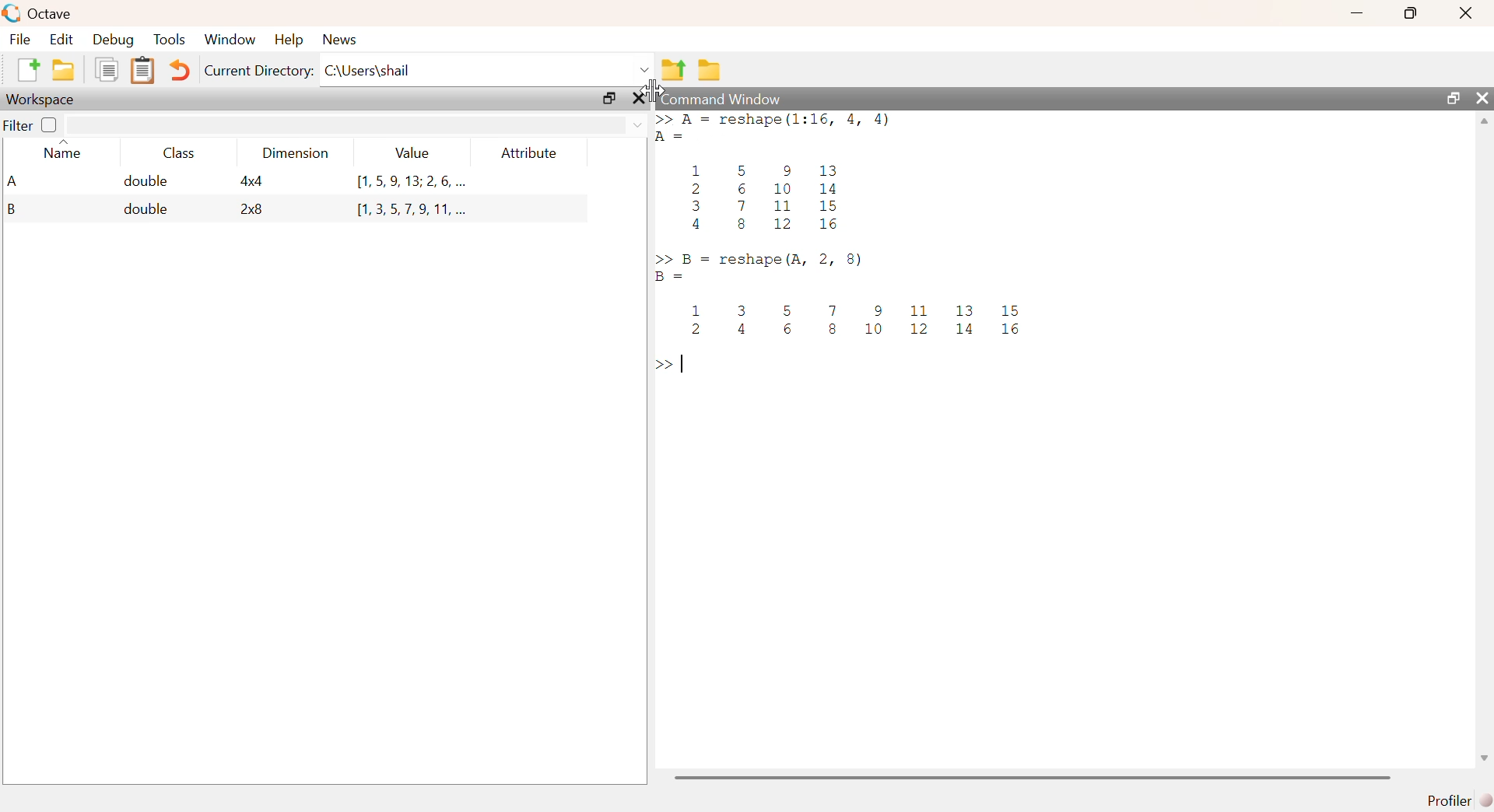 The image size is (1494, 812). I want to click on browse directories, so click(710, 72).